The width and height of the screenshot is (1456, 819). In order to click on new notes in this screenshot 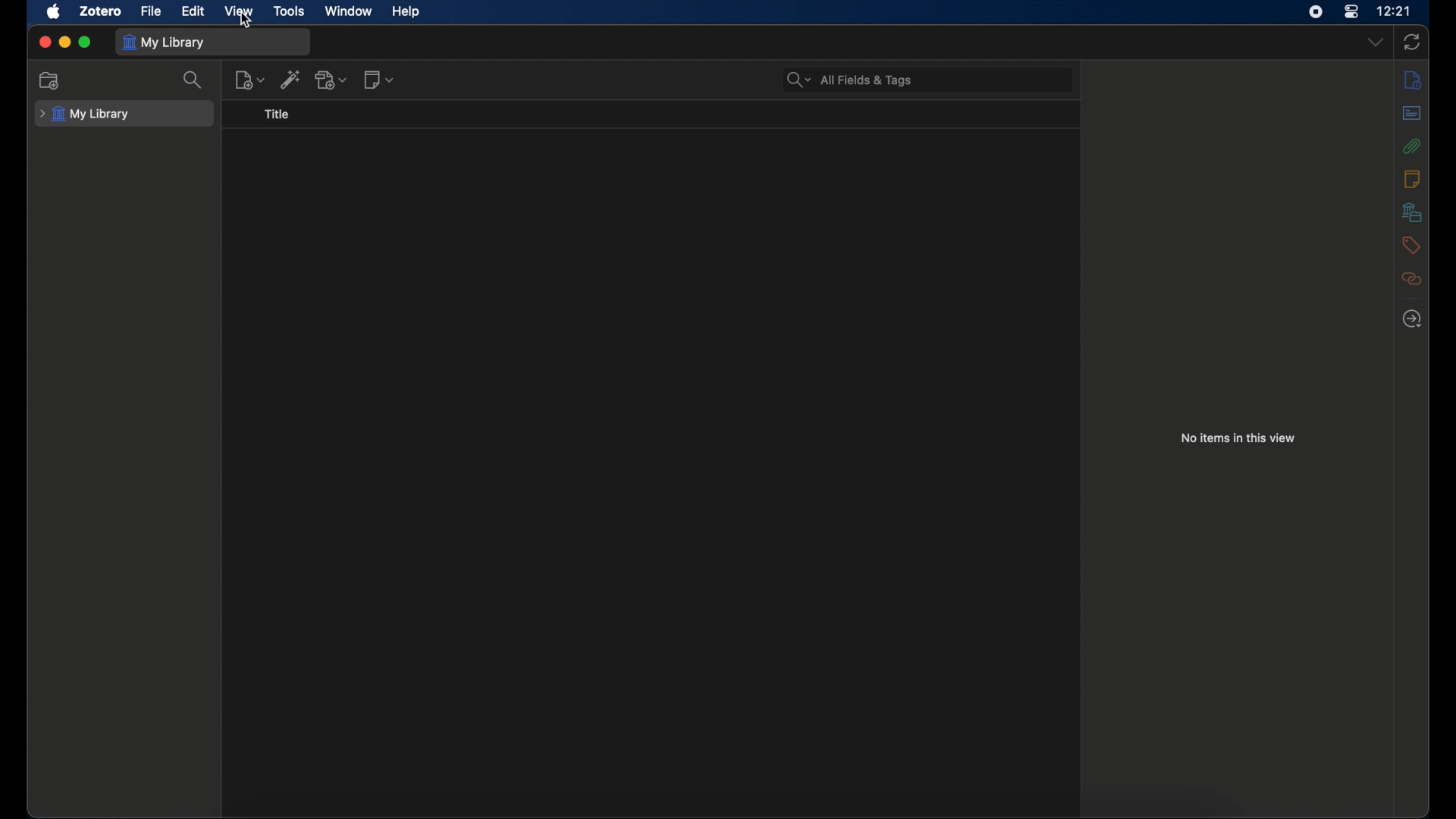, I will do `click(249, 80)`.